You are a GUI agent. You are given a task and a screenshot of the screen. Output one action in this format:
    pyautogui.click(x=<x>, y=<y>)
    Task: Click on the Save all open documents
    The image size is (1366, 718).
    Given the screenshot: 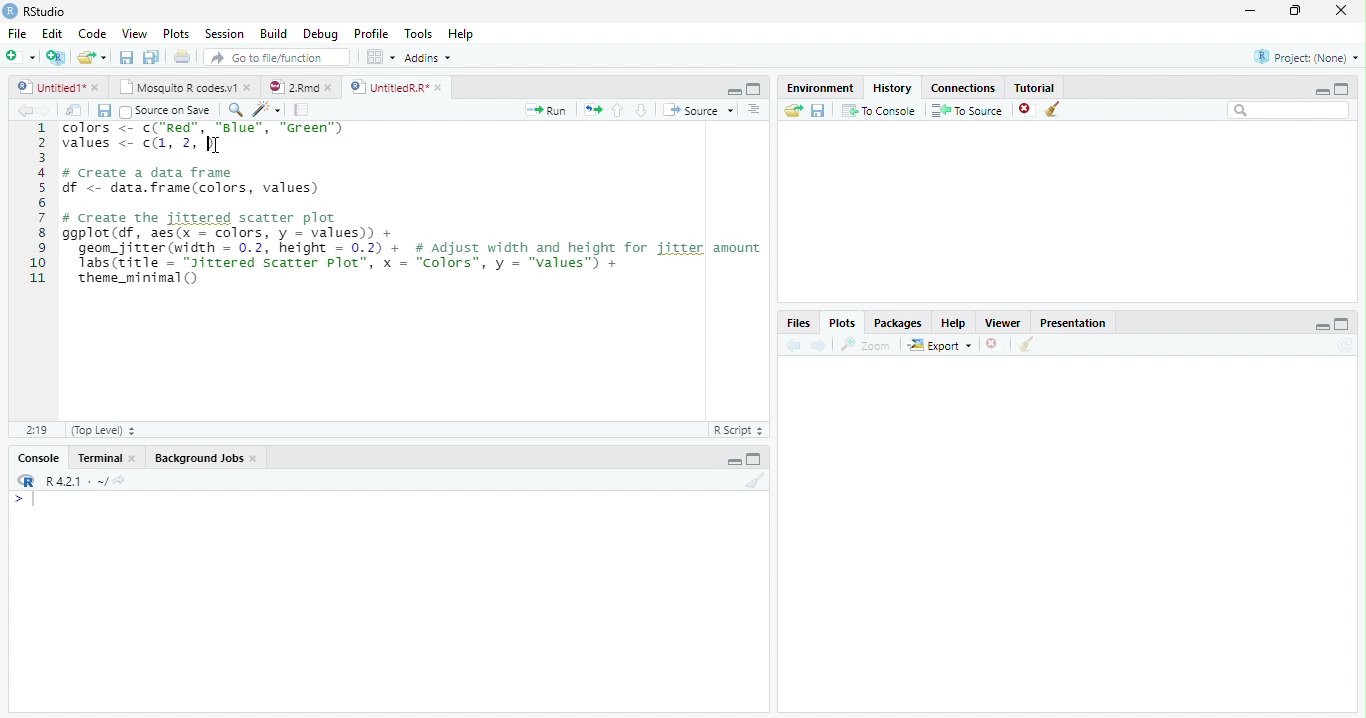 What is the action you would take?
    pyautogui.click(x=152, y=57)
    